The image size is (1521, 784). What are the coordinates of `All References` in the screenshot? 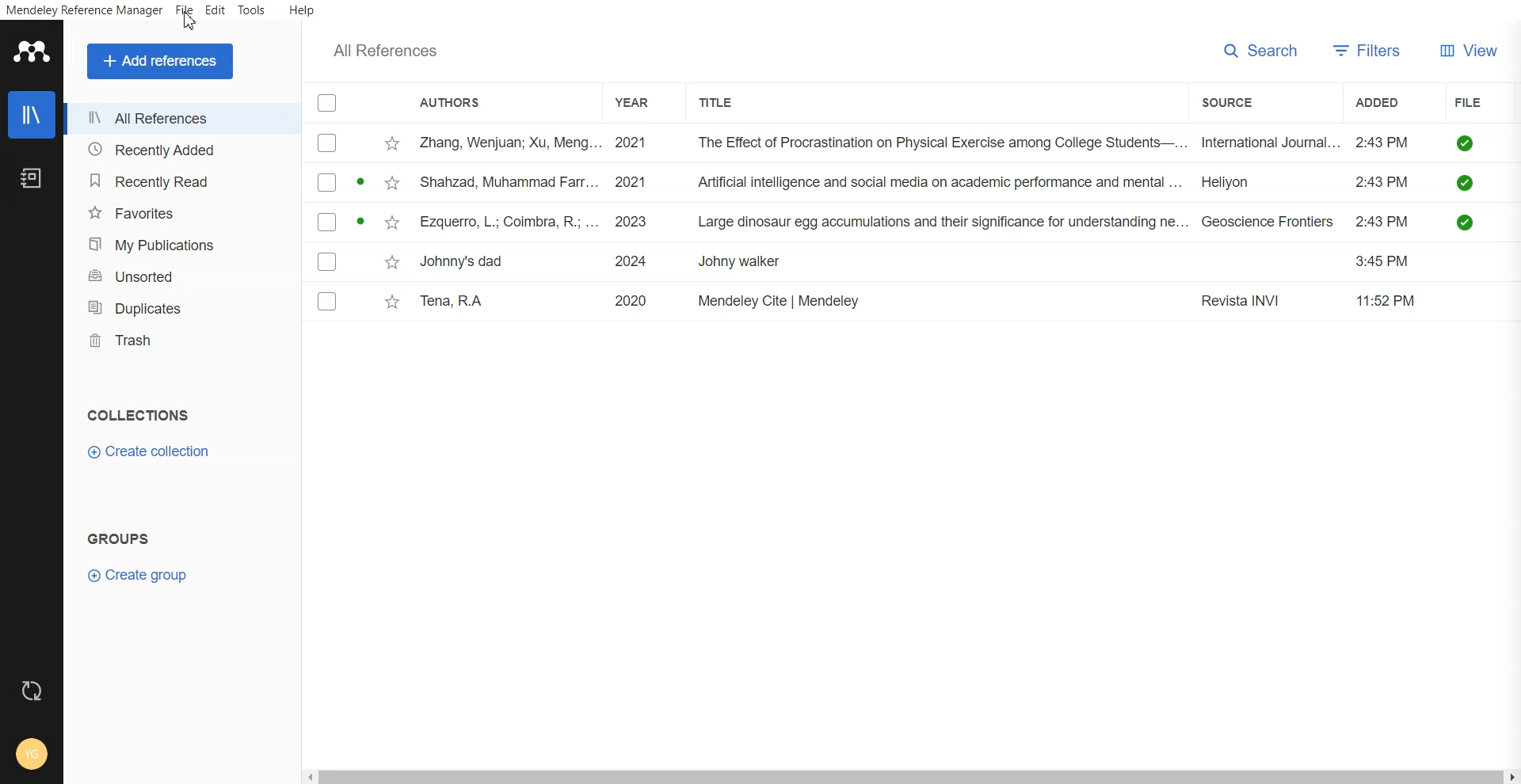 It's located at (174, 119).